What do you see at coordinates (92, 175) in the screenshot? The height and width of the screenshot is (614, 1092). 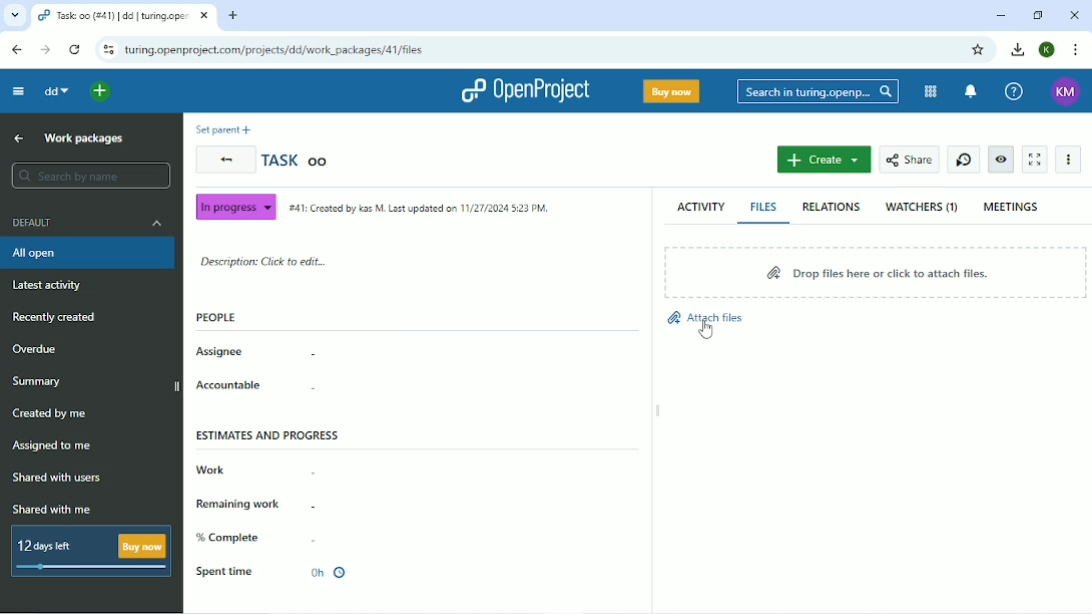 I see `Search y name` at bounding box center [92, 175].